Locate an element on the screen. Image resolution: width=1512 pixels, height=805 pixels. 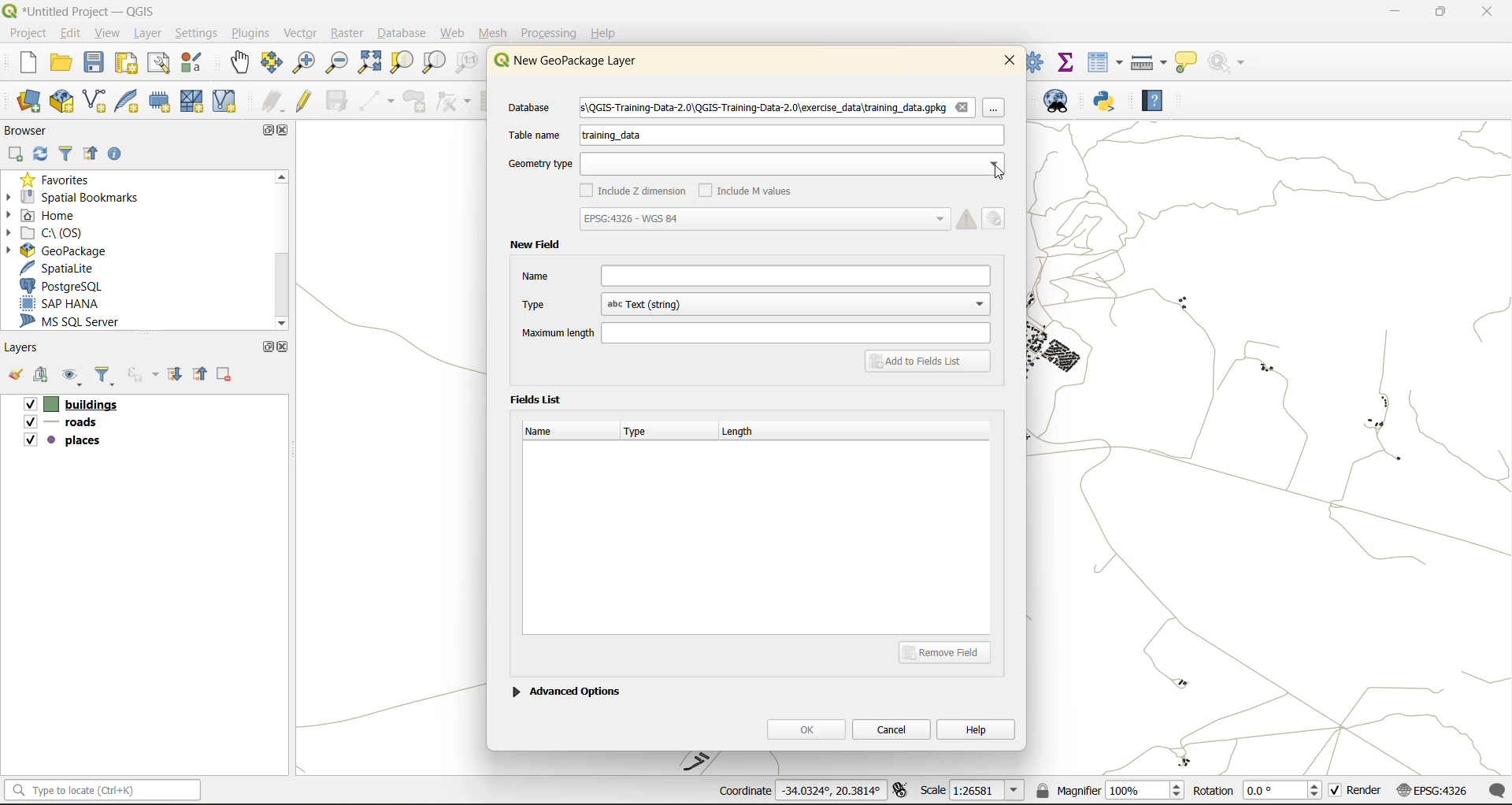
zoom in is located at coordinates (302, 61).